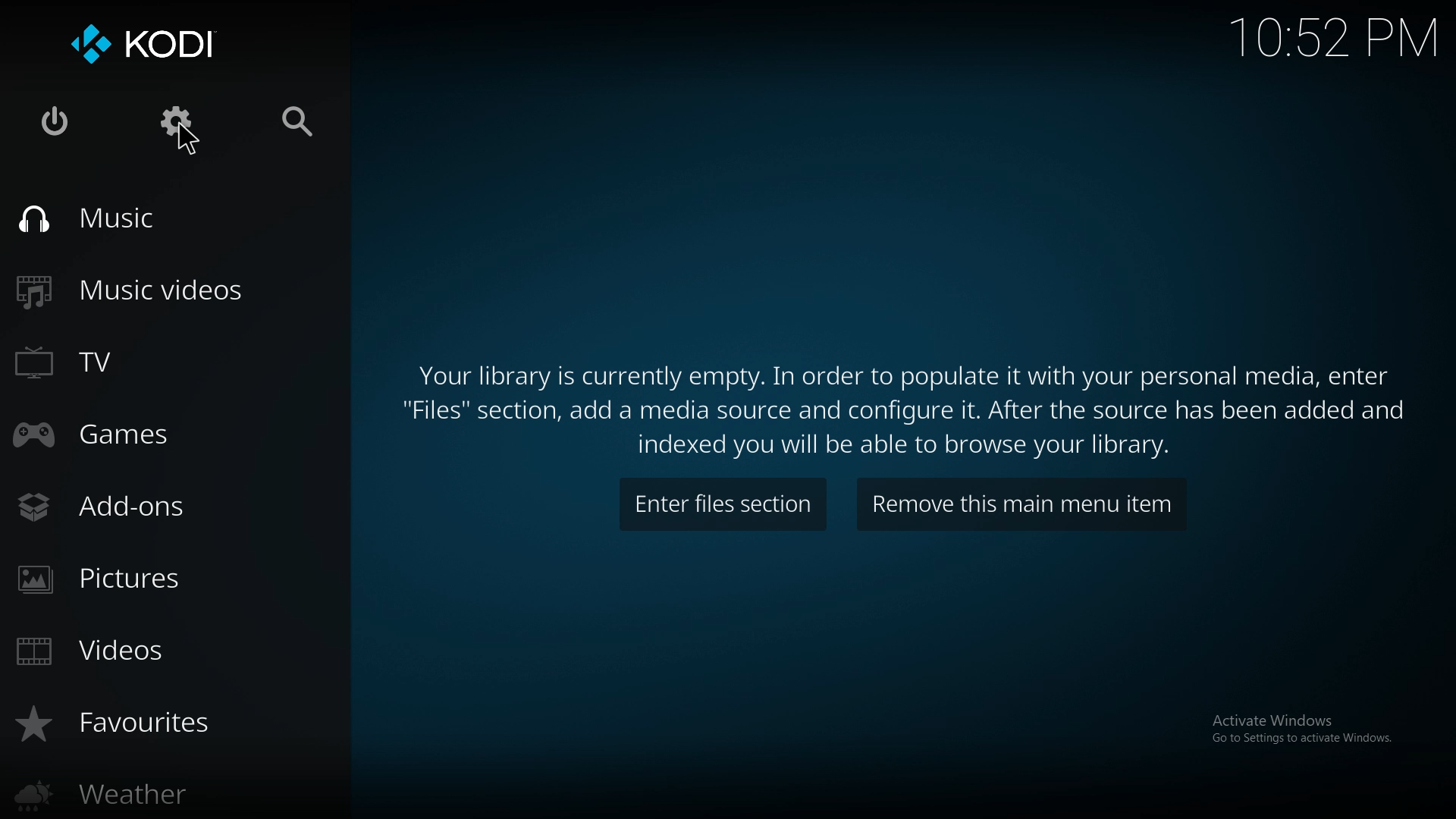 The height and width of the screenshot is (819, 1456). What do you see at coordinates (722, 506) in the screenshot?
I see `enter files section` at bounding box center [722, 506].